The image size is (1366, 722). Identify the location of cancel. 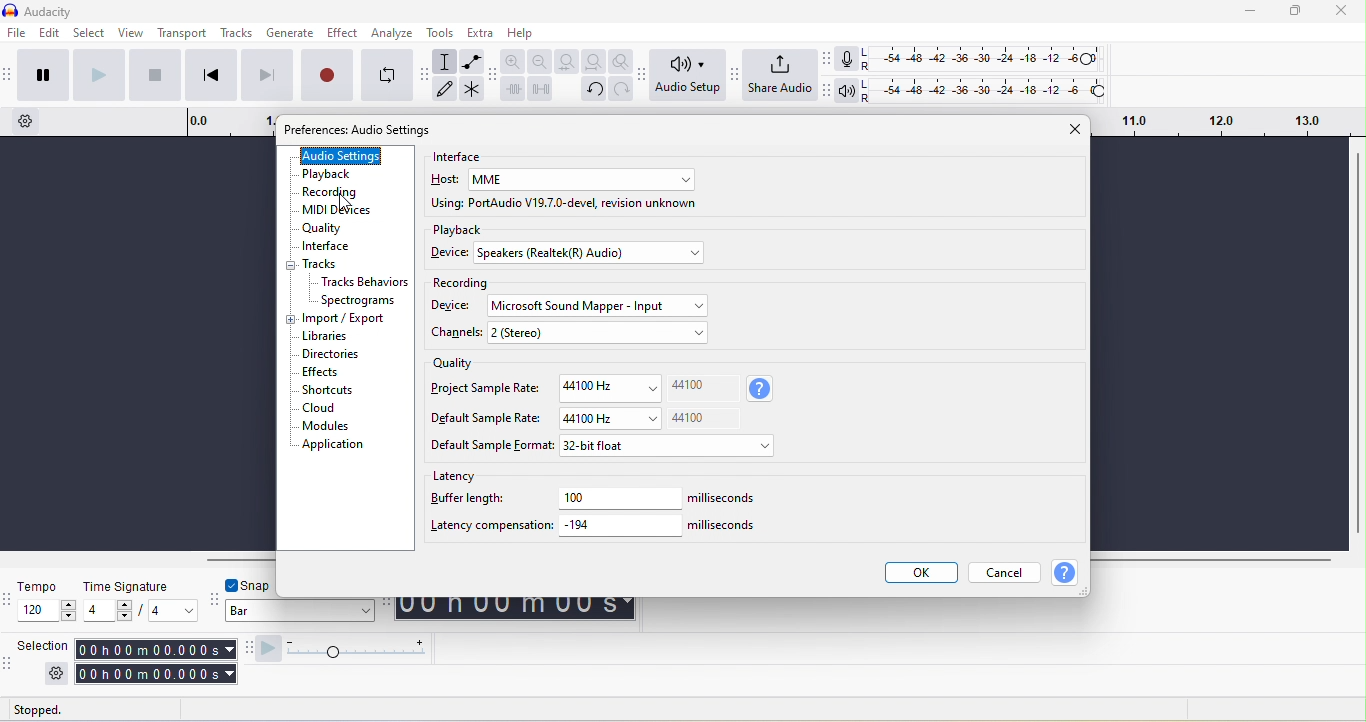
(1004, 572).